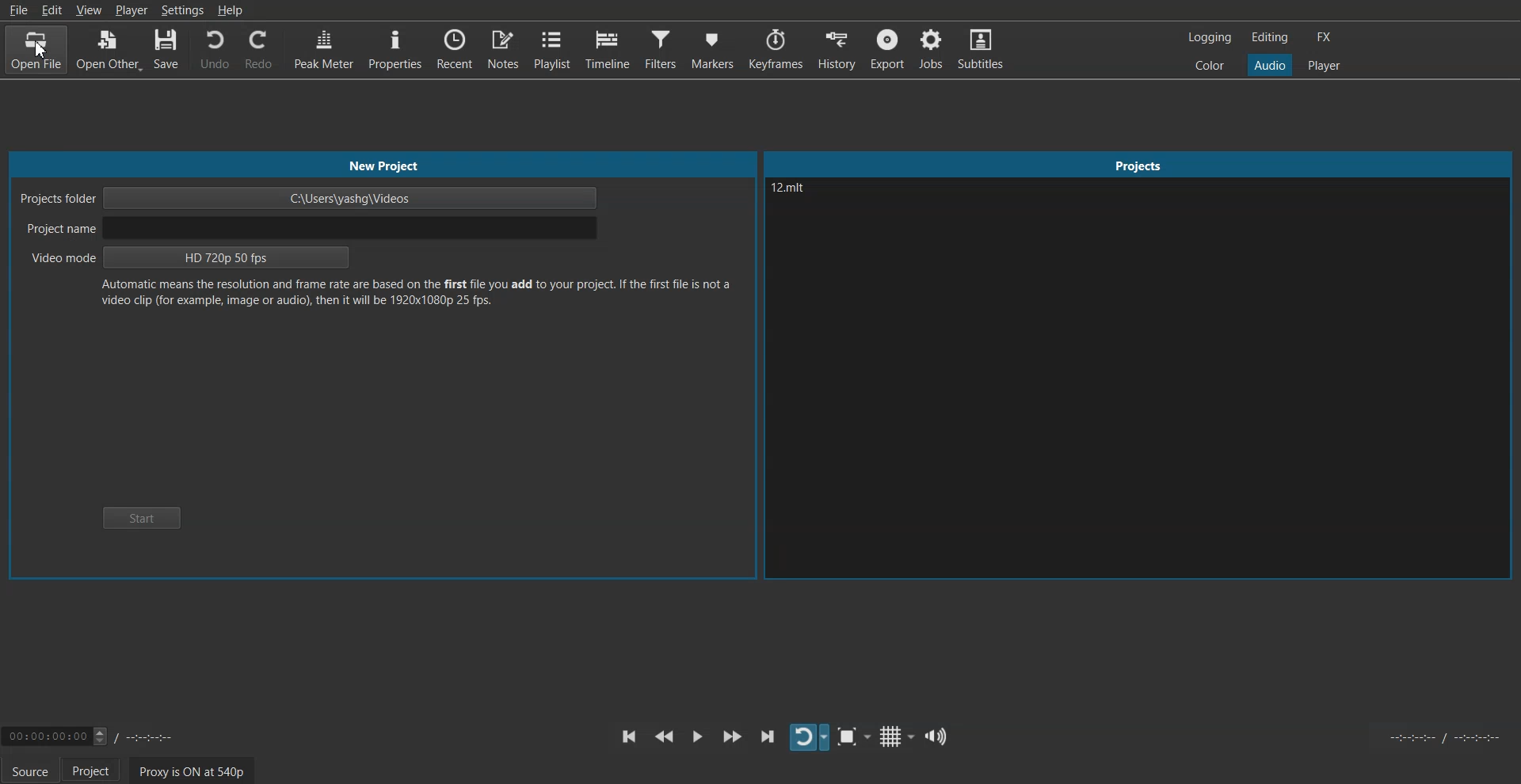  I want to click on Toggle Zoom, so click(853, 737).